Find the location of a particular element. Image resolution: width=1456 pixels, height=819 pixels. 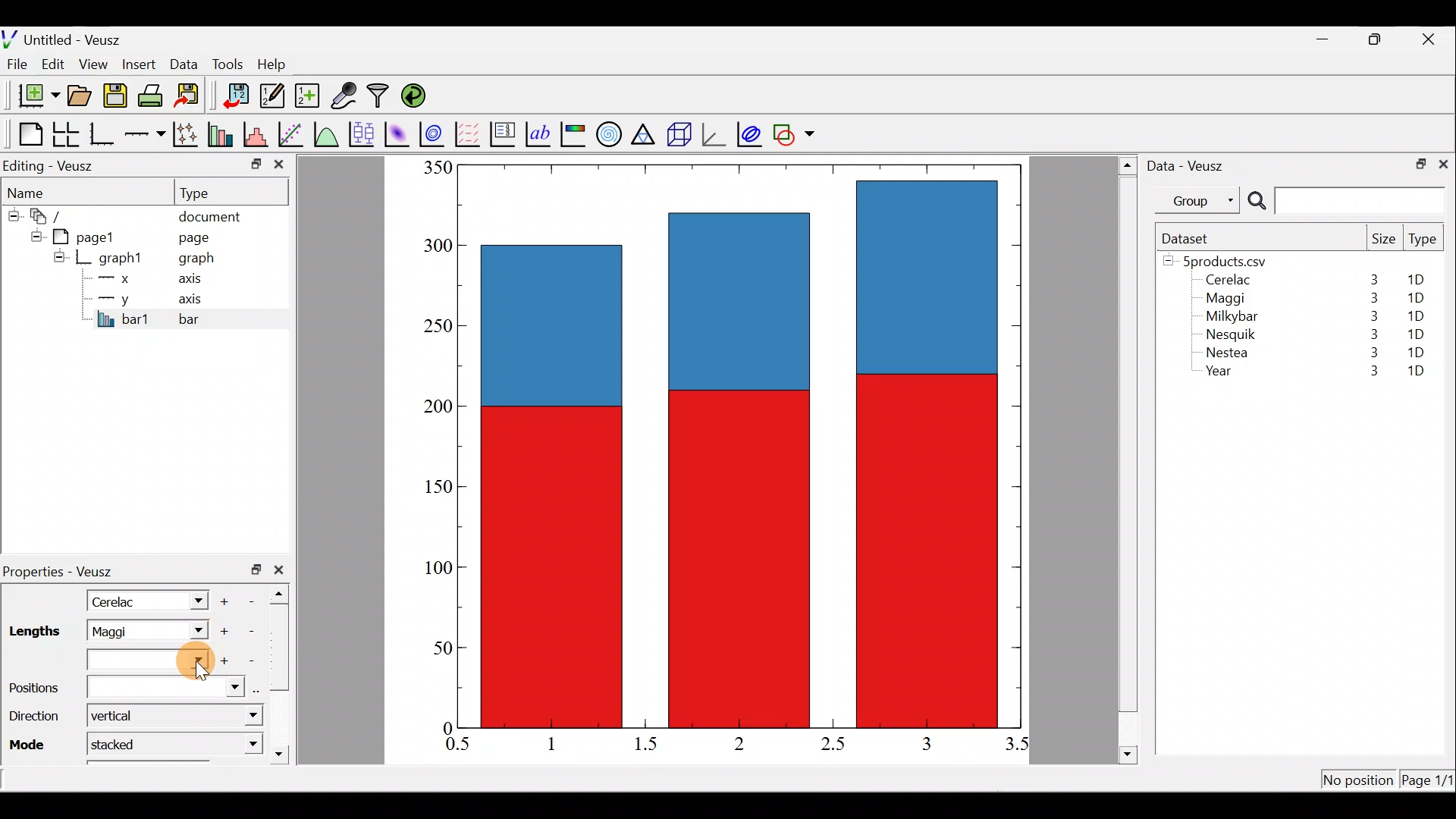

Positions is located at coordinates (124, 688).